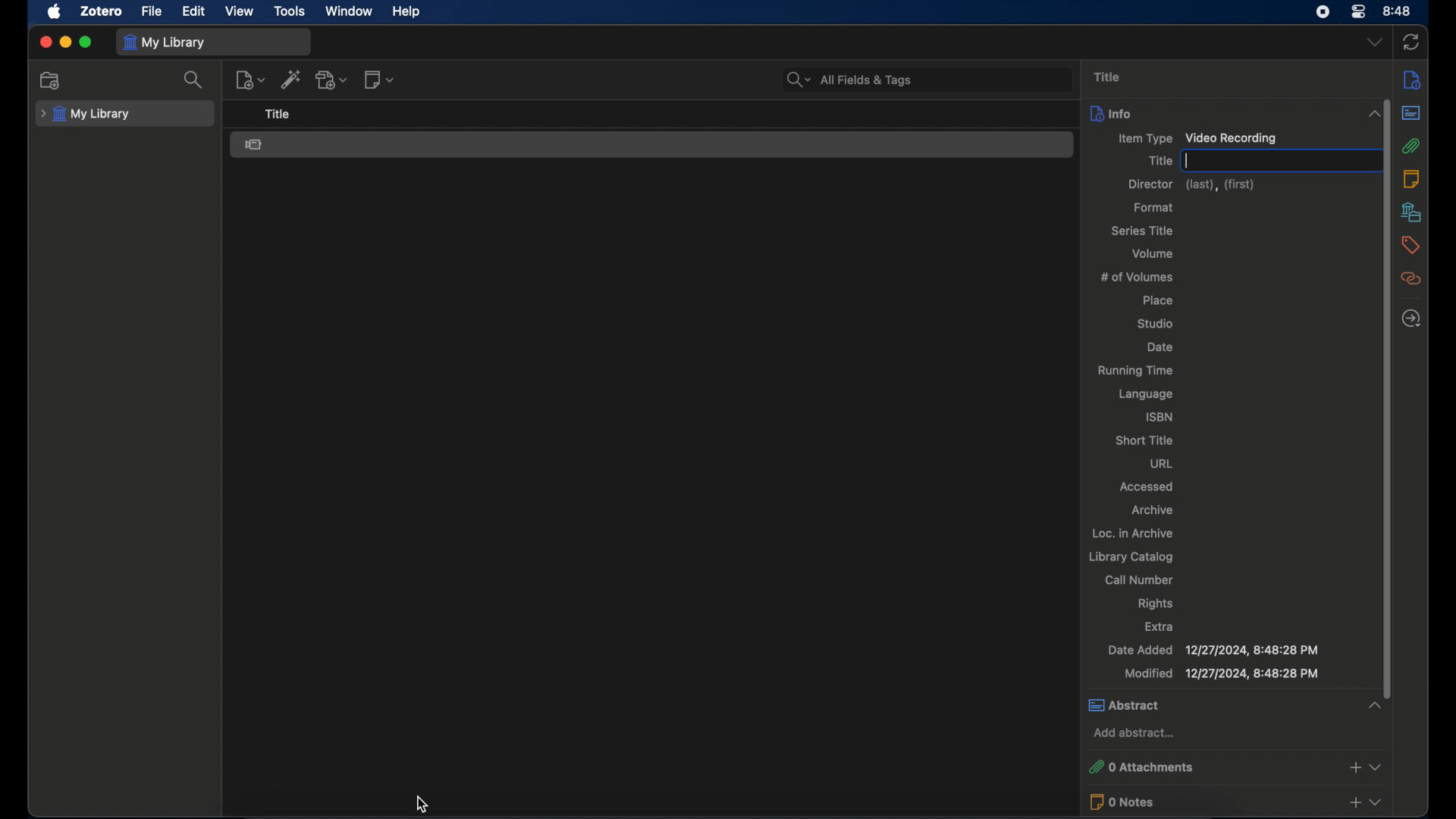 The width and height of the screenshot is (1456, 819). I want to click on title, so click(1109, 77).